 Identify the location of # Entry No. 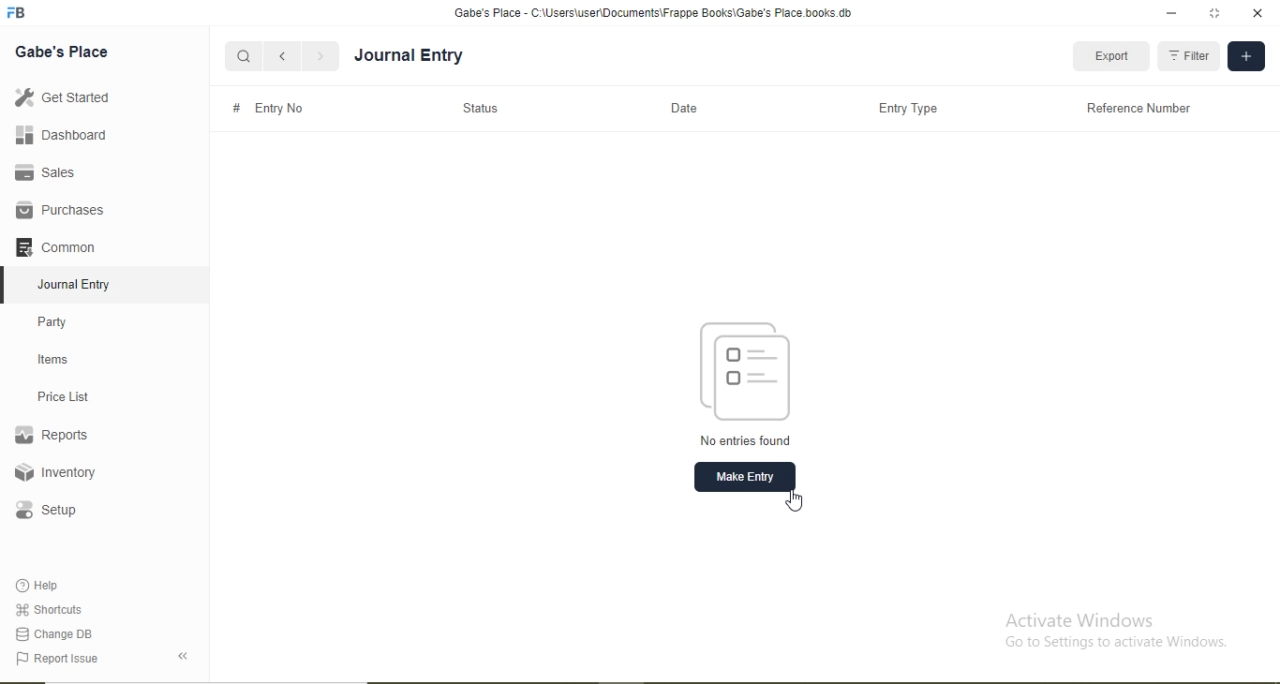
(268, 108).